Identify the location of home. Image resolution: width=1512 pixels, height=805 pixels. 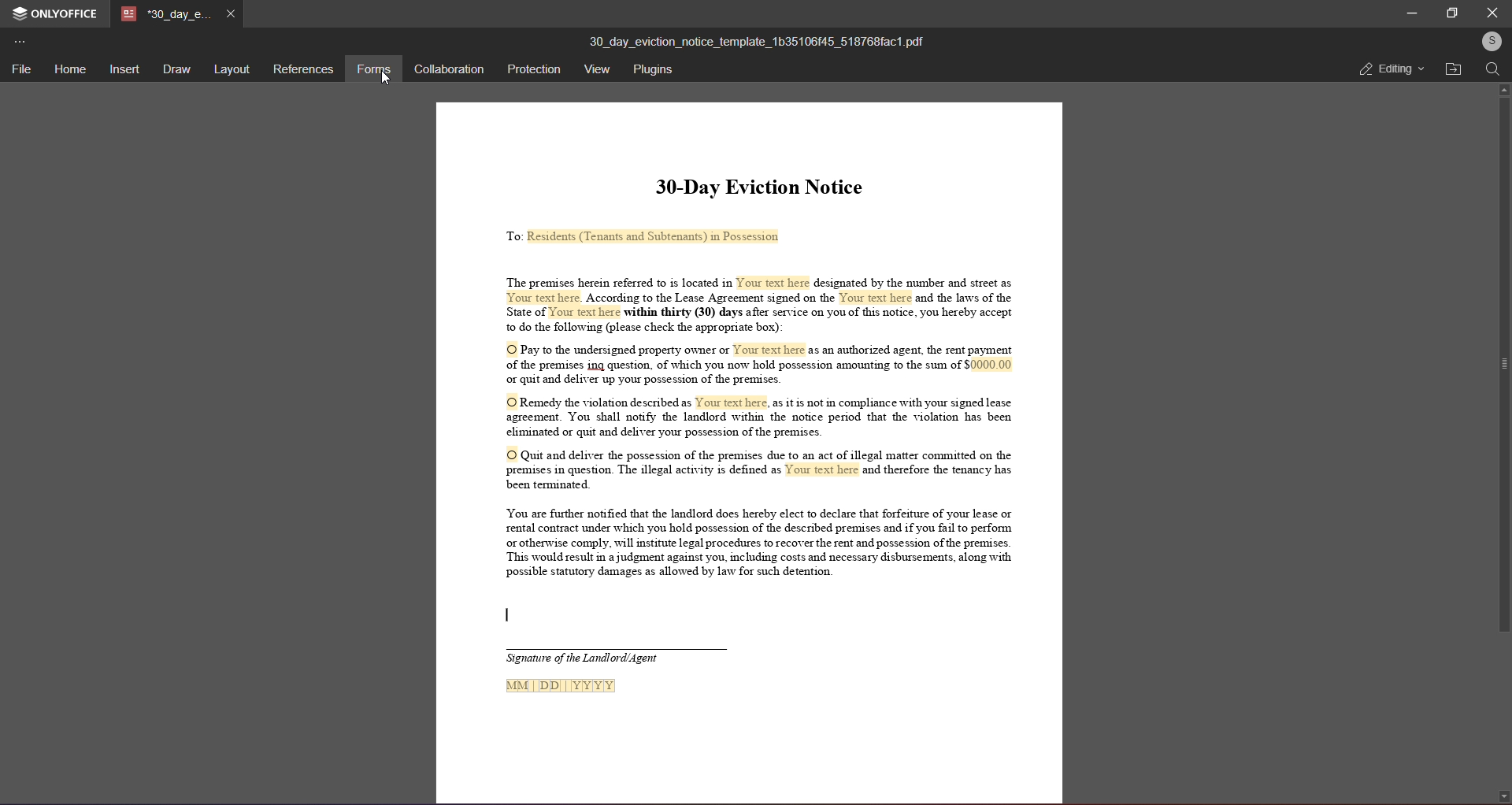
(69, 69).